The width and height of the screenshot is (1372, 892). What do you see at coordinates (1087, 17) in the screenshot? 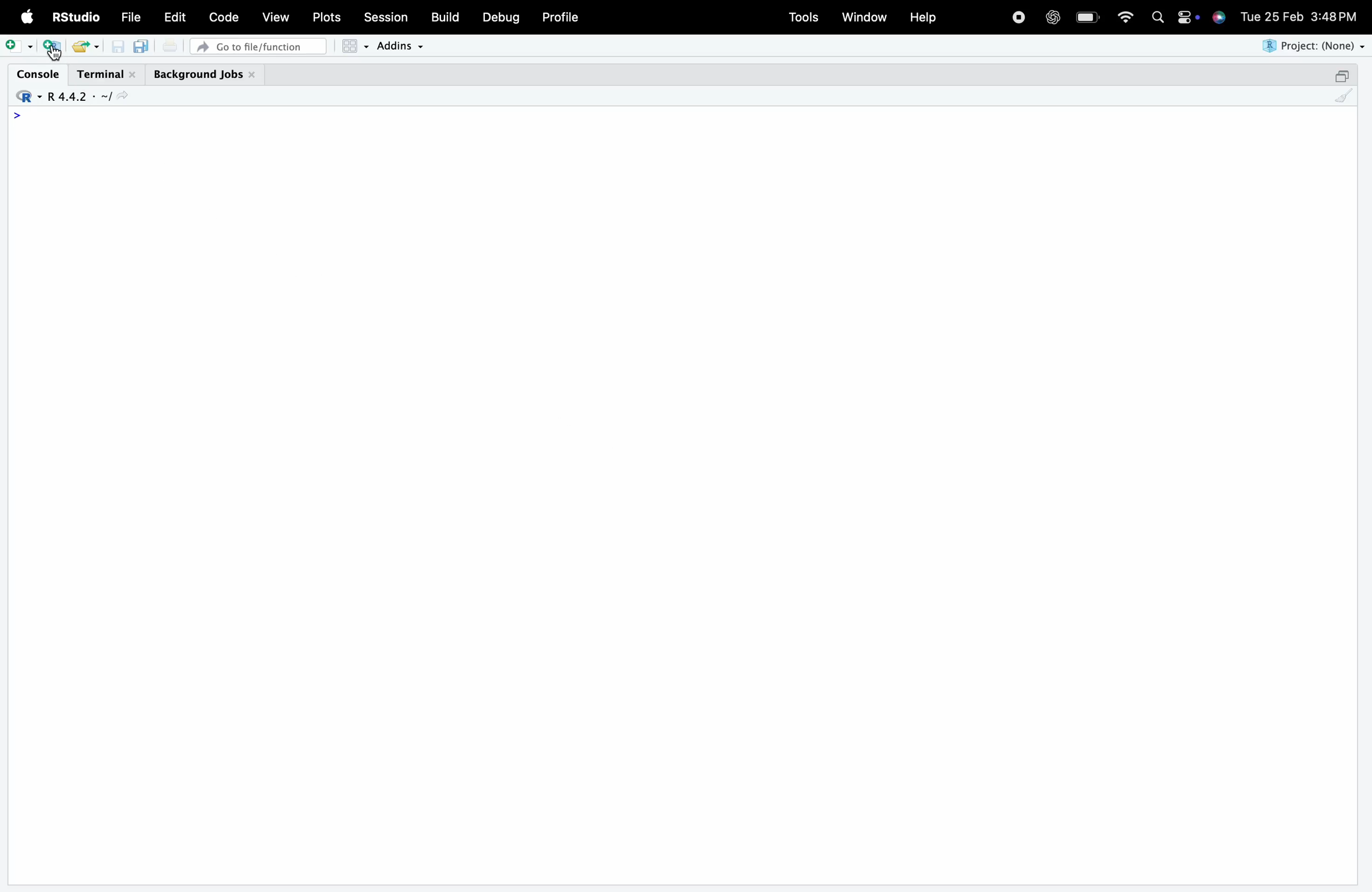
I see `battery` at bounding box center [1087, 17].